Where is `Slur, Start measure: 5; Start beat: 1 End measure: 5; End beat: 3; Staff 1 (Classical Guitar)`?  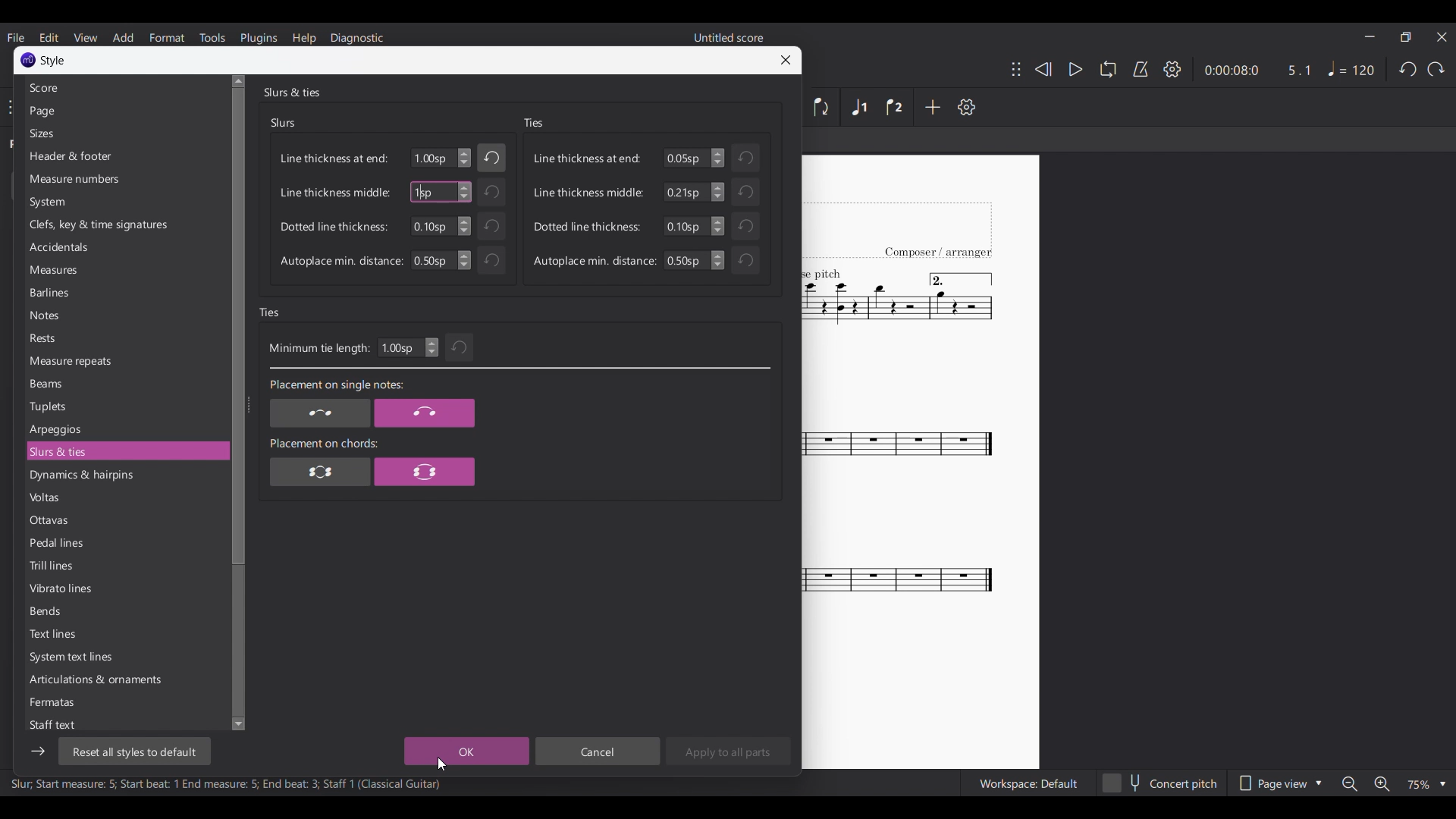 Slur, Start measure: 5; Start beat: 1 End measure: 5; End beat: 3; Staff 1 (Classical Guitar) is located at coordinates (226, 786).